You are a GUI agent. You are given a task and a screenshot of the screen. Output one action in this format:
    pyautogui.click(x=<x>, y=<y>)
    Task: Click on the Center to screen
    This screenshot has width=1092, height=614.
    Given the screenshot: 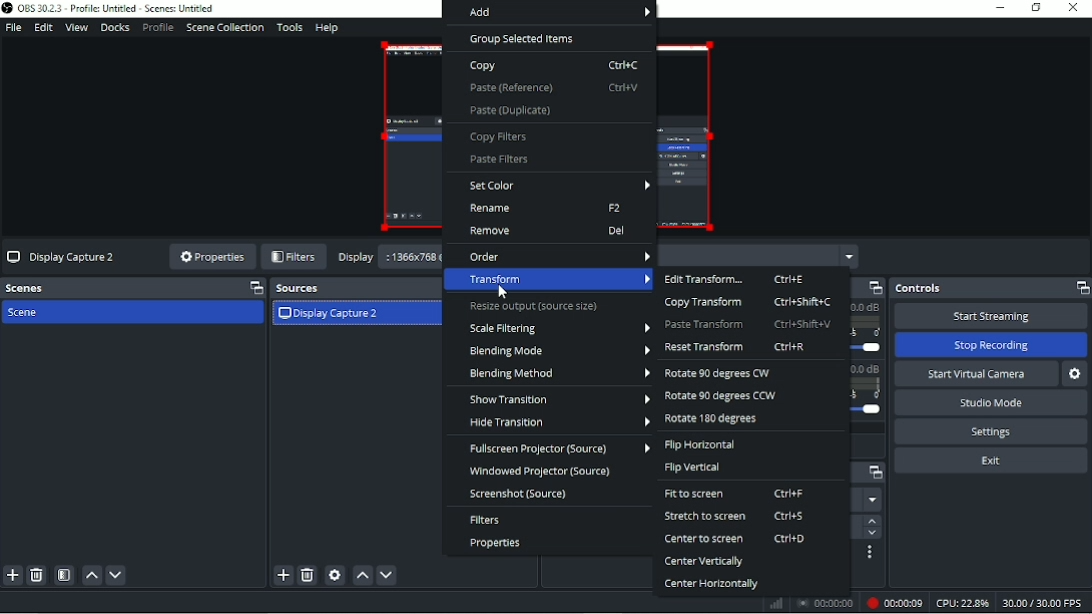 What is the action you would take?
    pyautogui.click(x=736, y=538)
    